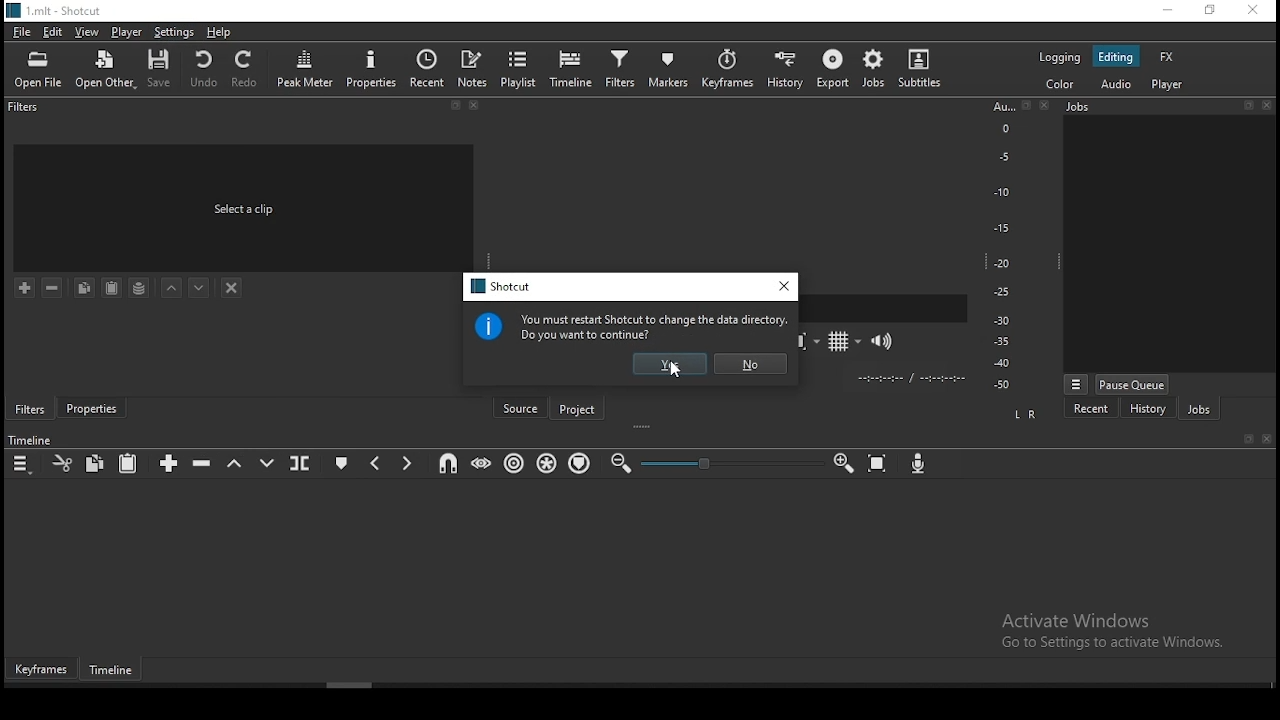  I want to click on close window, so click(783, 288).